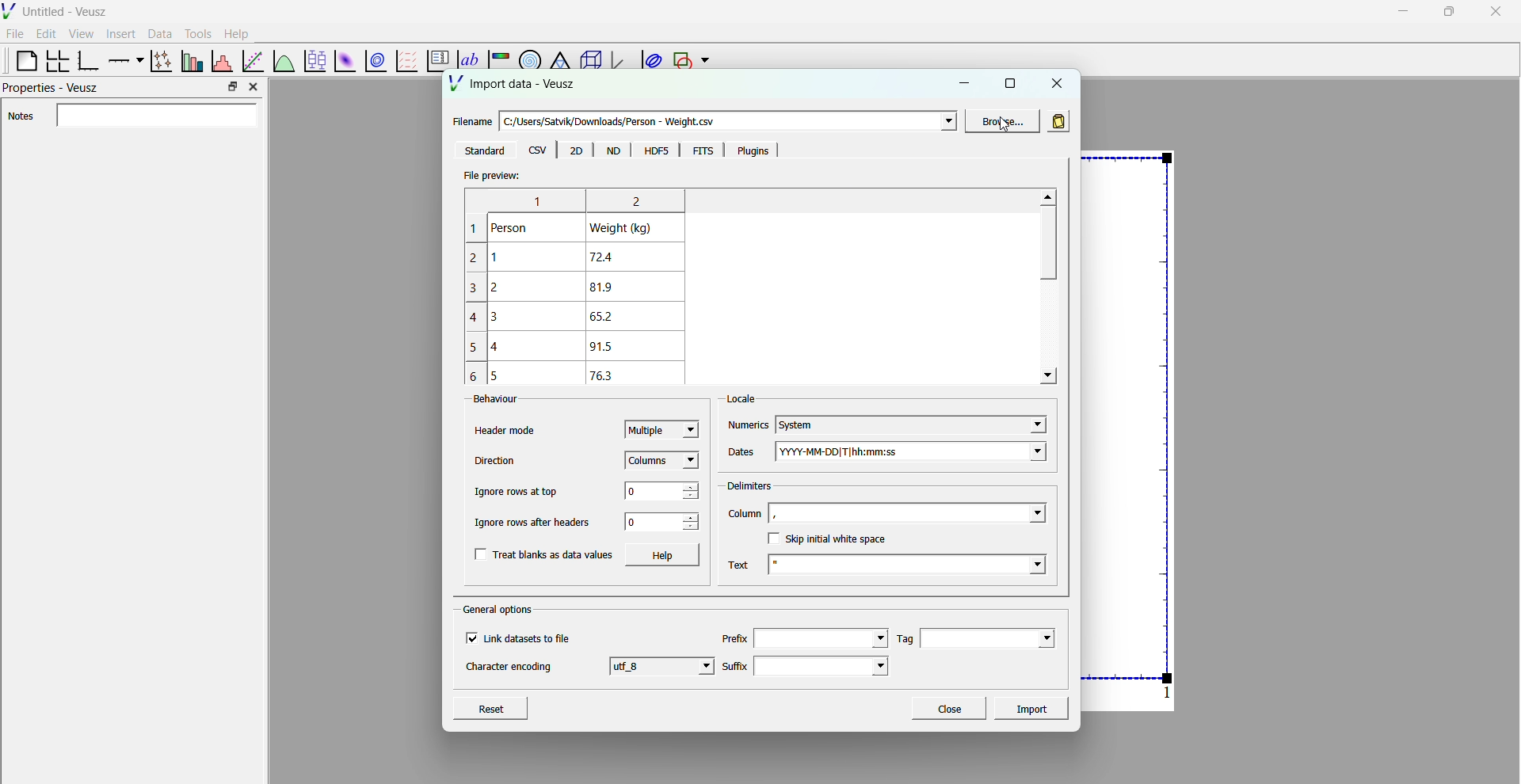 This screenshot has height=784, width=1521. Describe the element at coordinates (1496, 12) in the screenshot. I see `close` at that location.